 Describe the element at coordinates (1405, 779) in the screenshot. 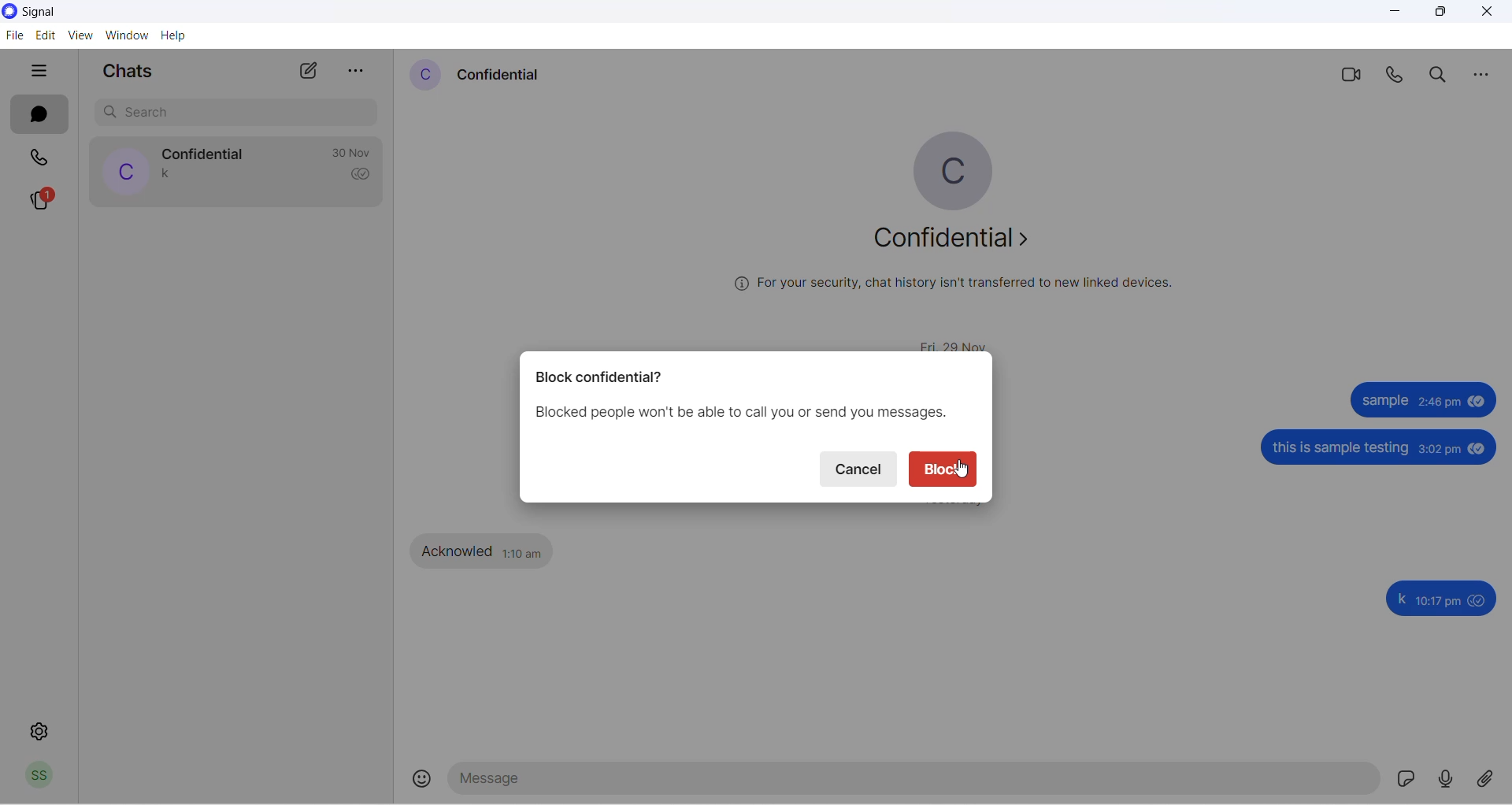

I see `sticker` at that location.